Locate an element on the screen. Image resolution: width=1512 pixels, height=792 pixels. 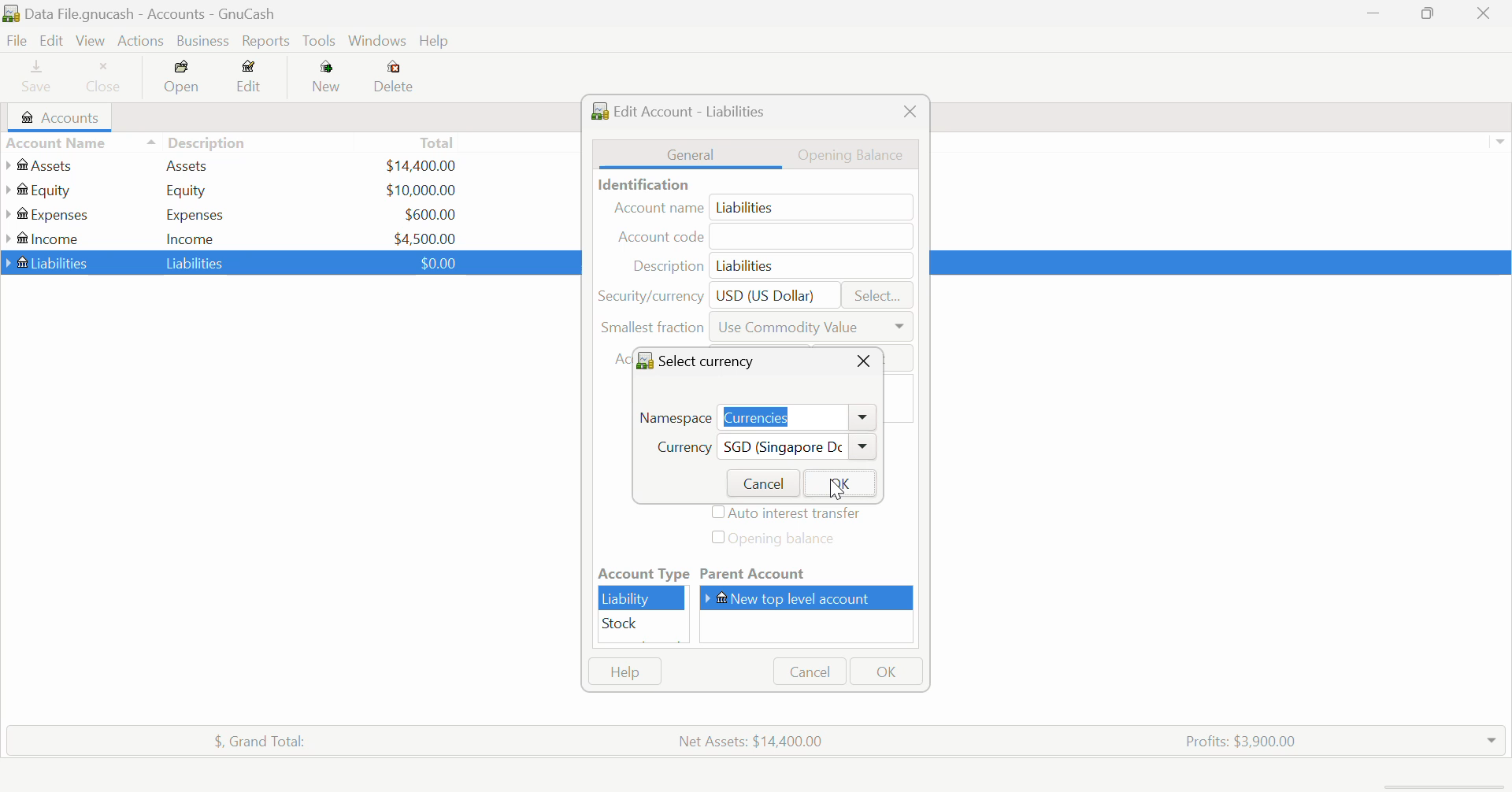
General is located at coordinates (691, 154).